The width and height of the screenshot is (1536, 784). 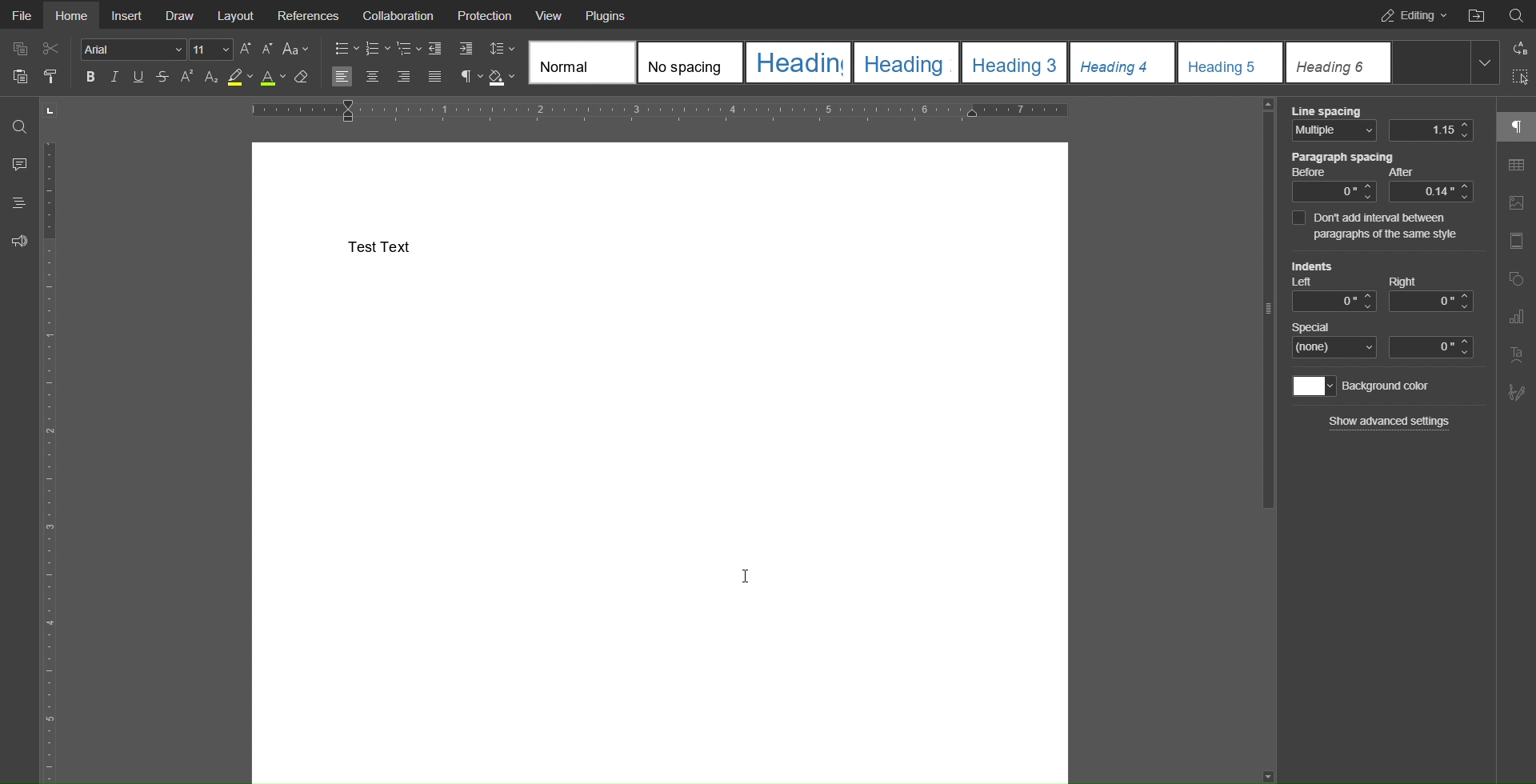 I want to click on Indents, so click(x=450, y=50).